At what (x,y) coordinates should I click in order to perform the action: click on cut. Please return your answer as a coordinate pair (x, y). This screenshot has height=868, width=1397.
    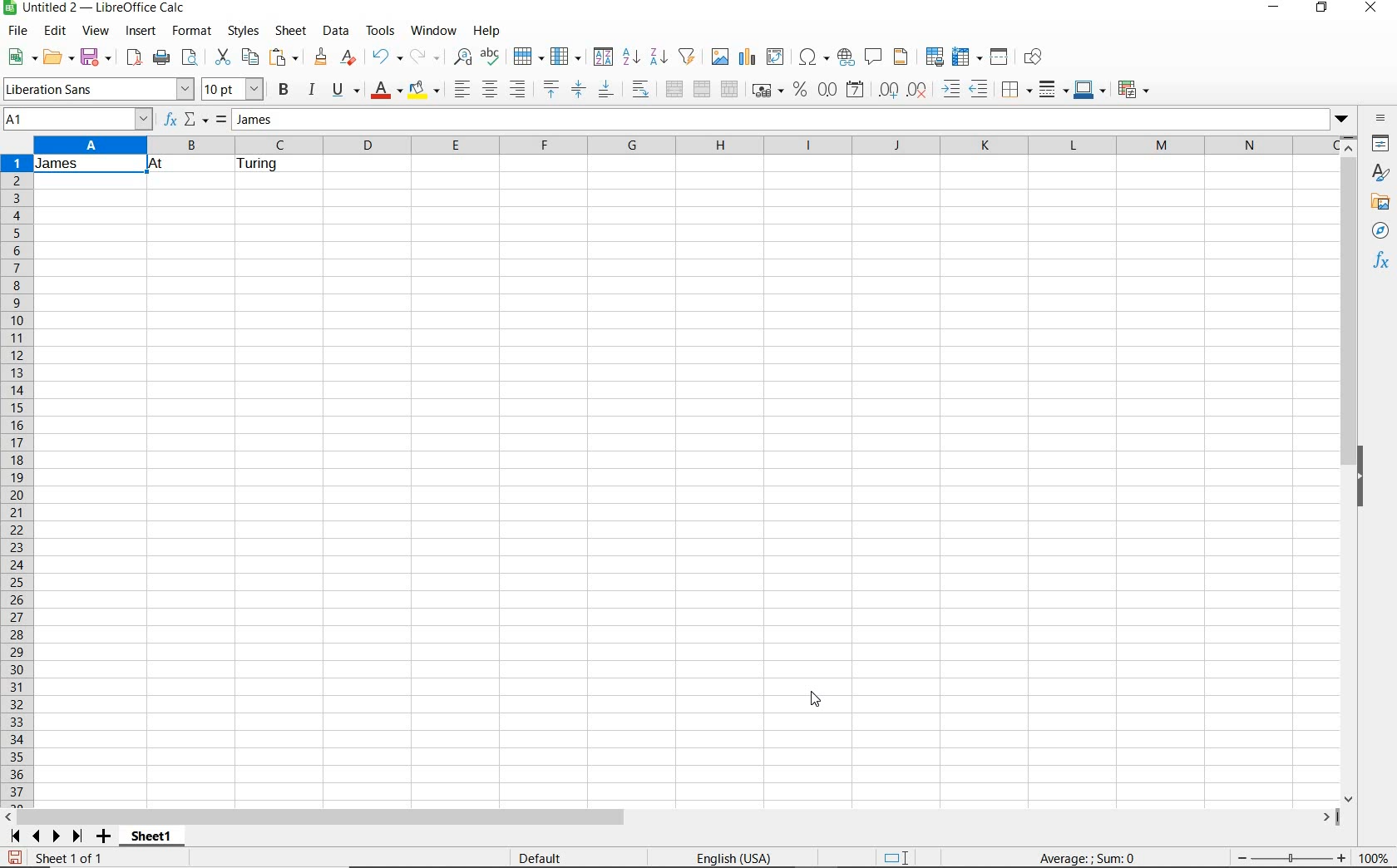
    Looking at the image, I should click on (221, 57).